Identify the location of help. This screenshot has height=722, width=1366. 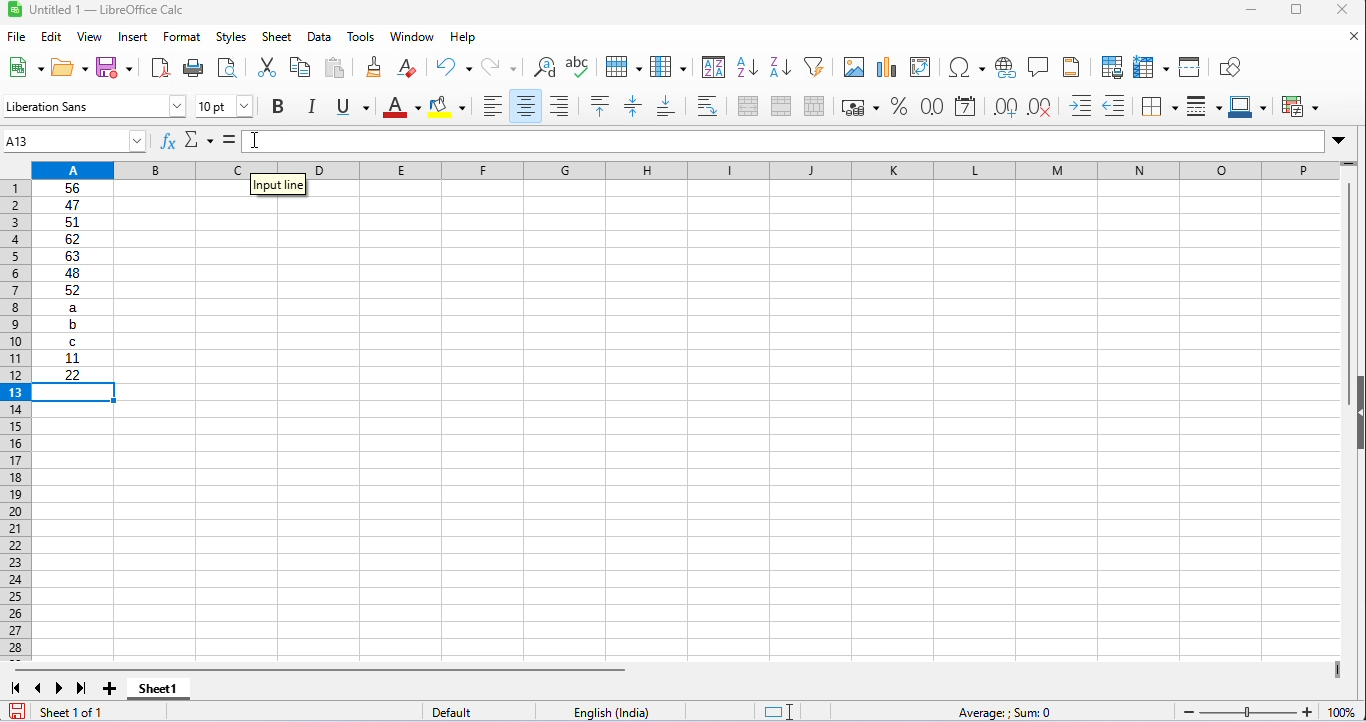
(462, 38).